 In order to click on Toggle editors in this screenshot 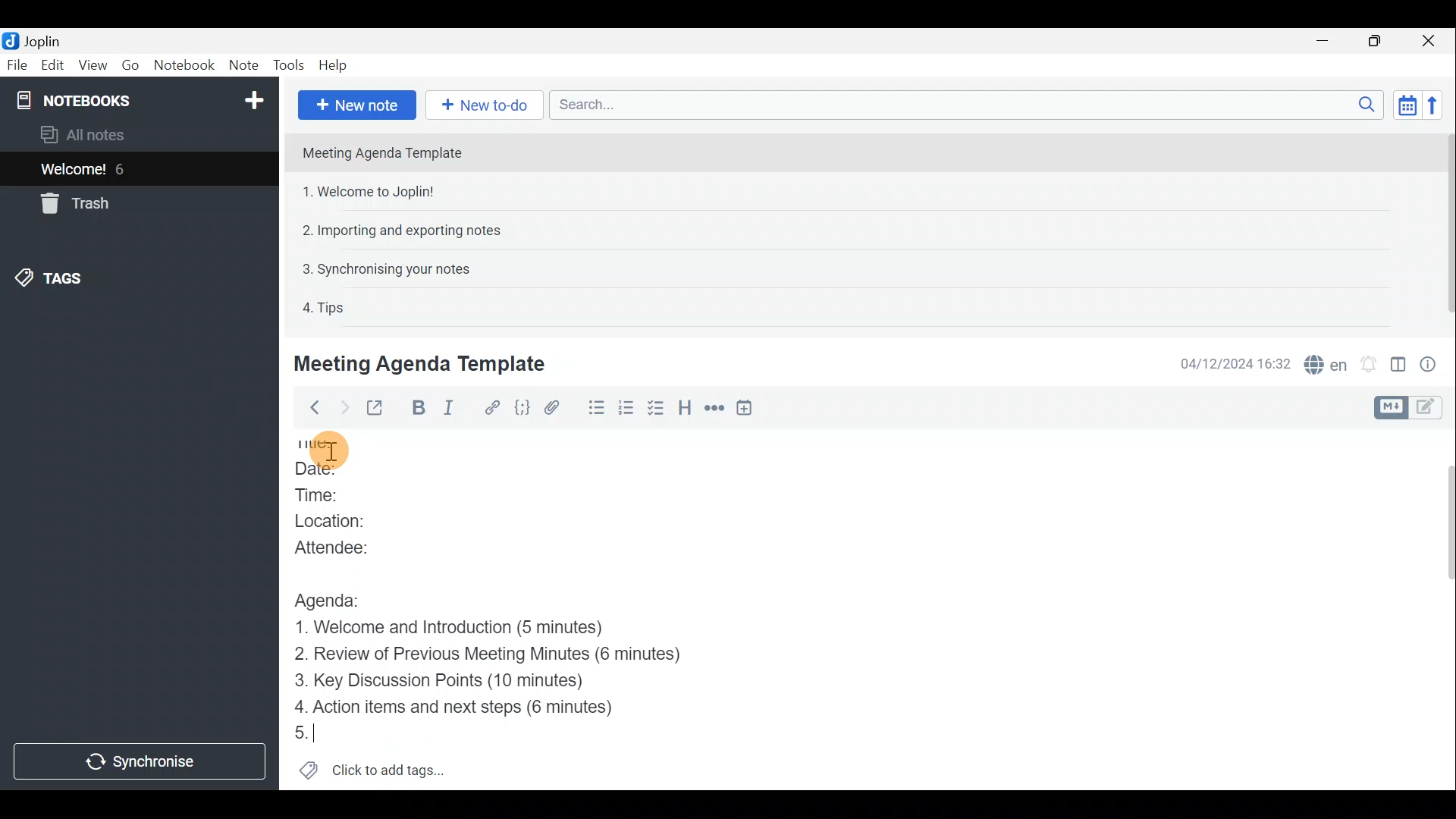, I will do `click(1429, 409)`.